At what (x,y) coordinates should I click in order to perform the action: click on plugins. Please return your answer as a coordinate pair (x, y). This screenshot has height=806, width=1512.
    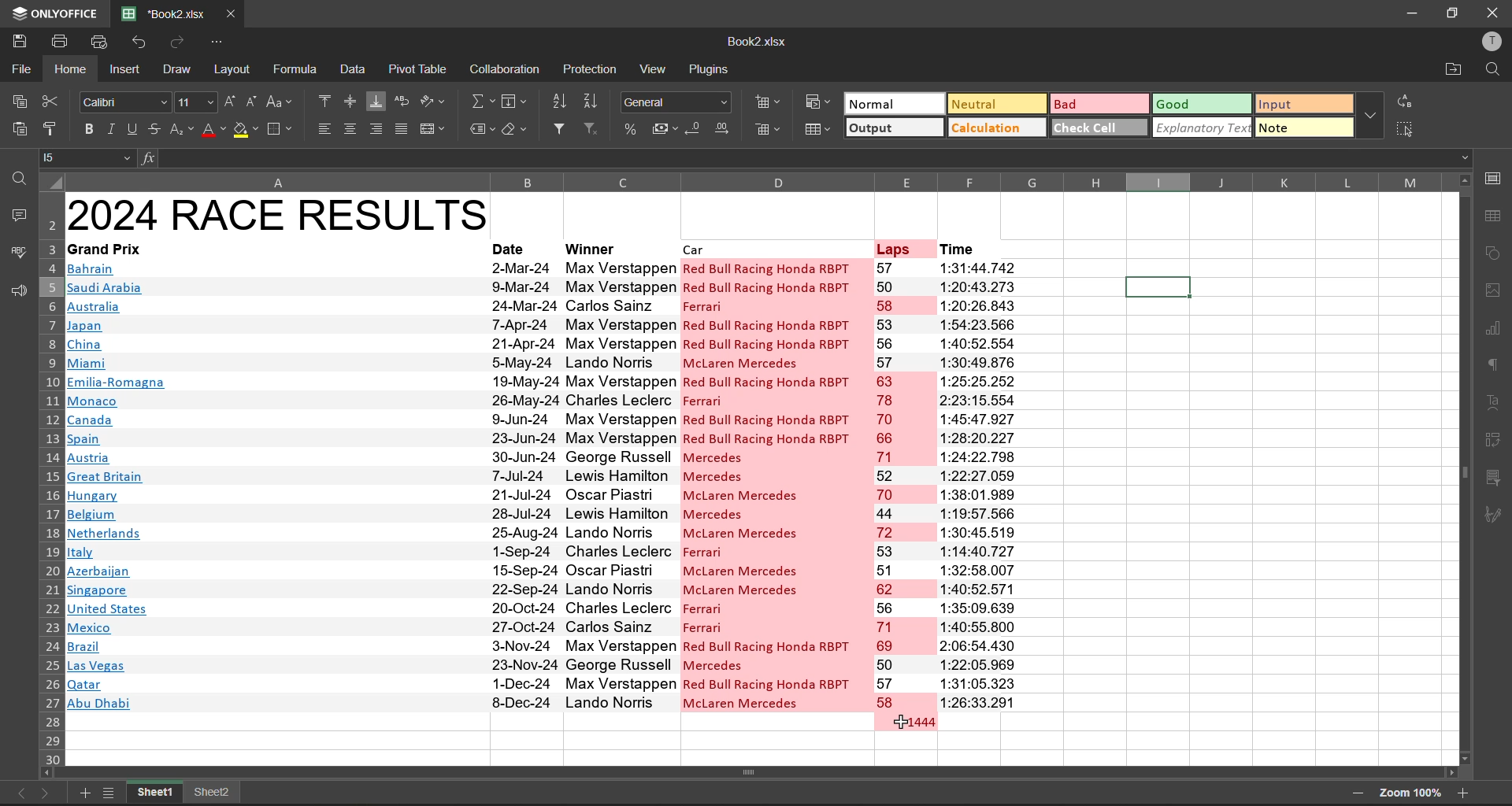
    Looking at the image, I should click on (713, 71).